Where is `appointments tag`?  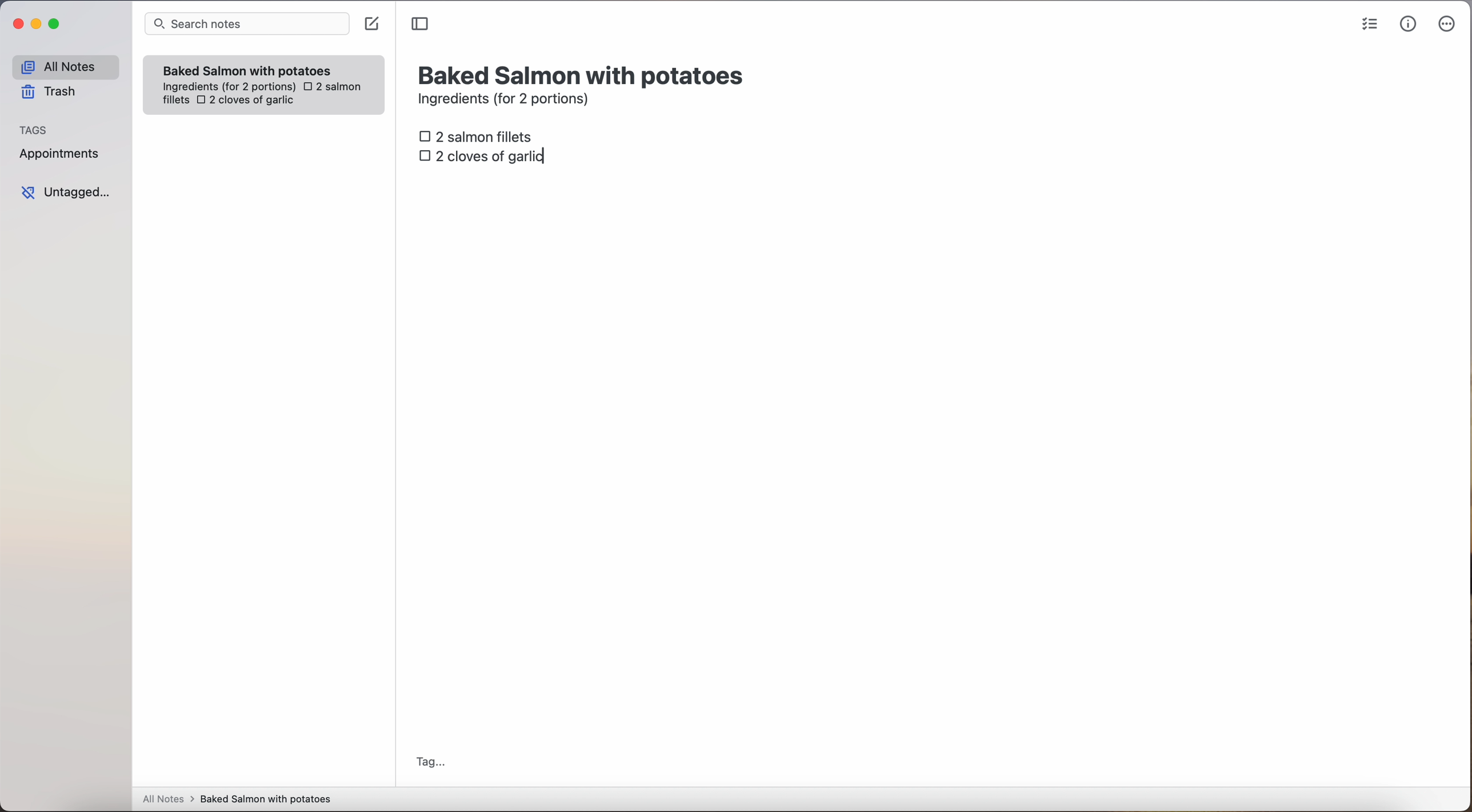
appointments tag is located at coordinates (61, 151).